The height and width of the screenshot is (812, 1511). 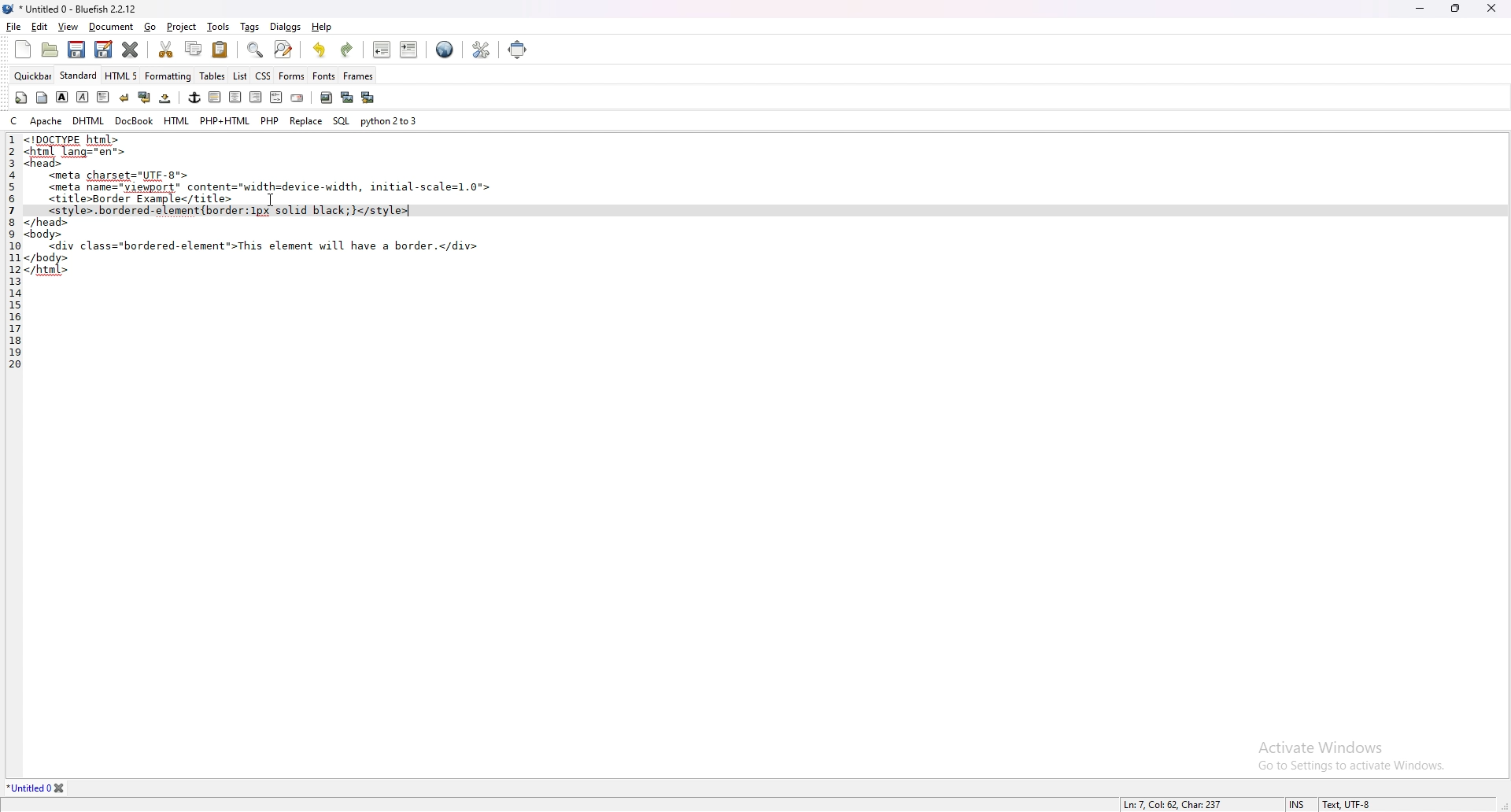 What do you see at coordinates (21, 98) in the screenshot?
I see `quickstart` at bounding box center [21, 98].